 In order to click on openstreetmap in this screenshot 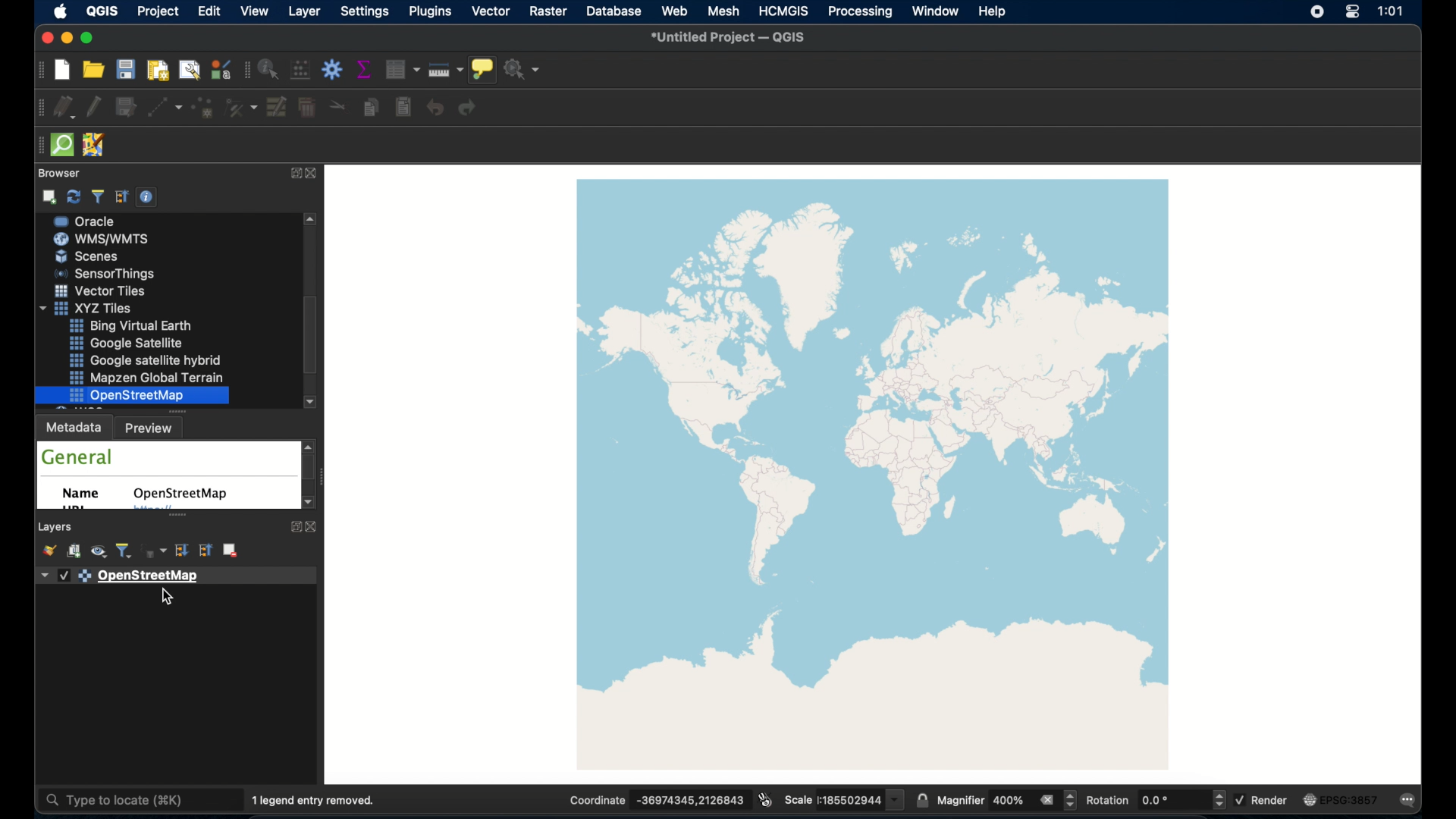, I will do `click(874, 475)`.